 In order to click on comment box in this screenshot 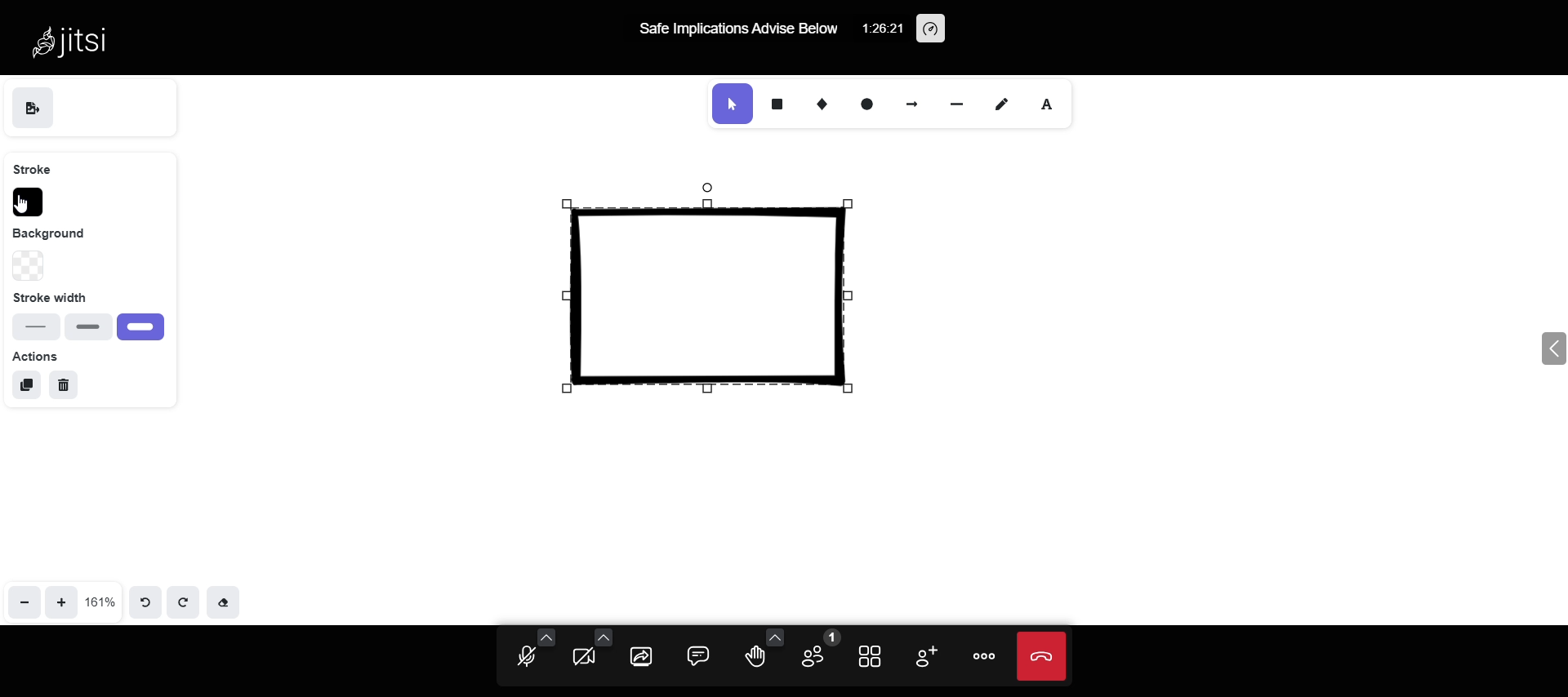, I will do `click(700, 652)`.